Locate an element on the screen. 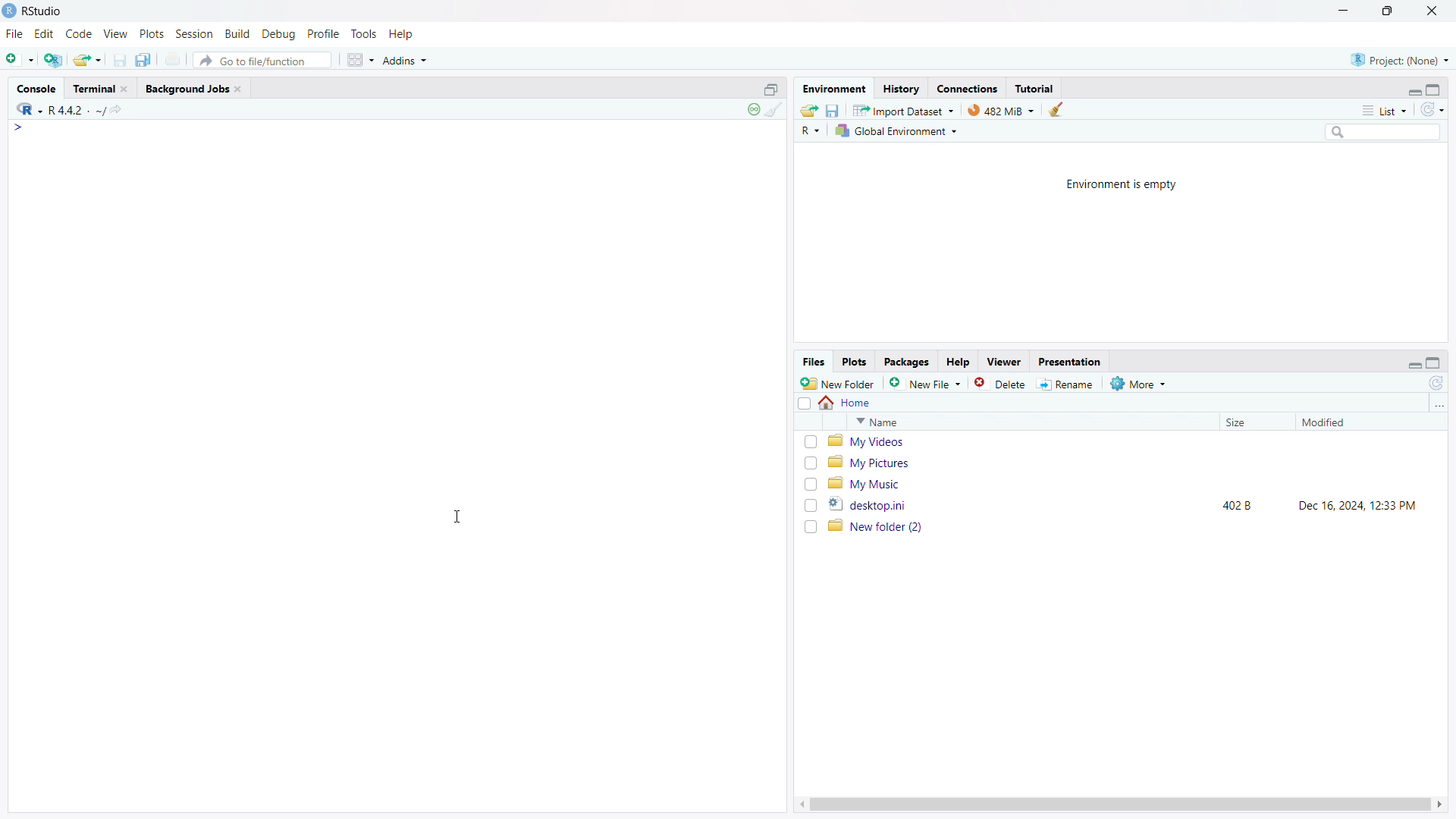 The height and width of the screenshot is (819, 1456). create a project is located at coordinates (54, 58).